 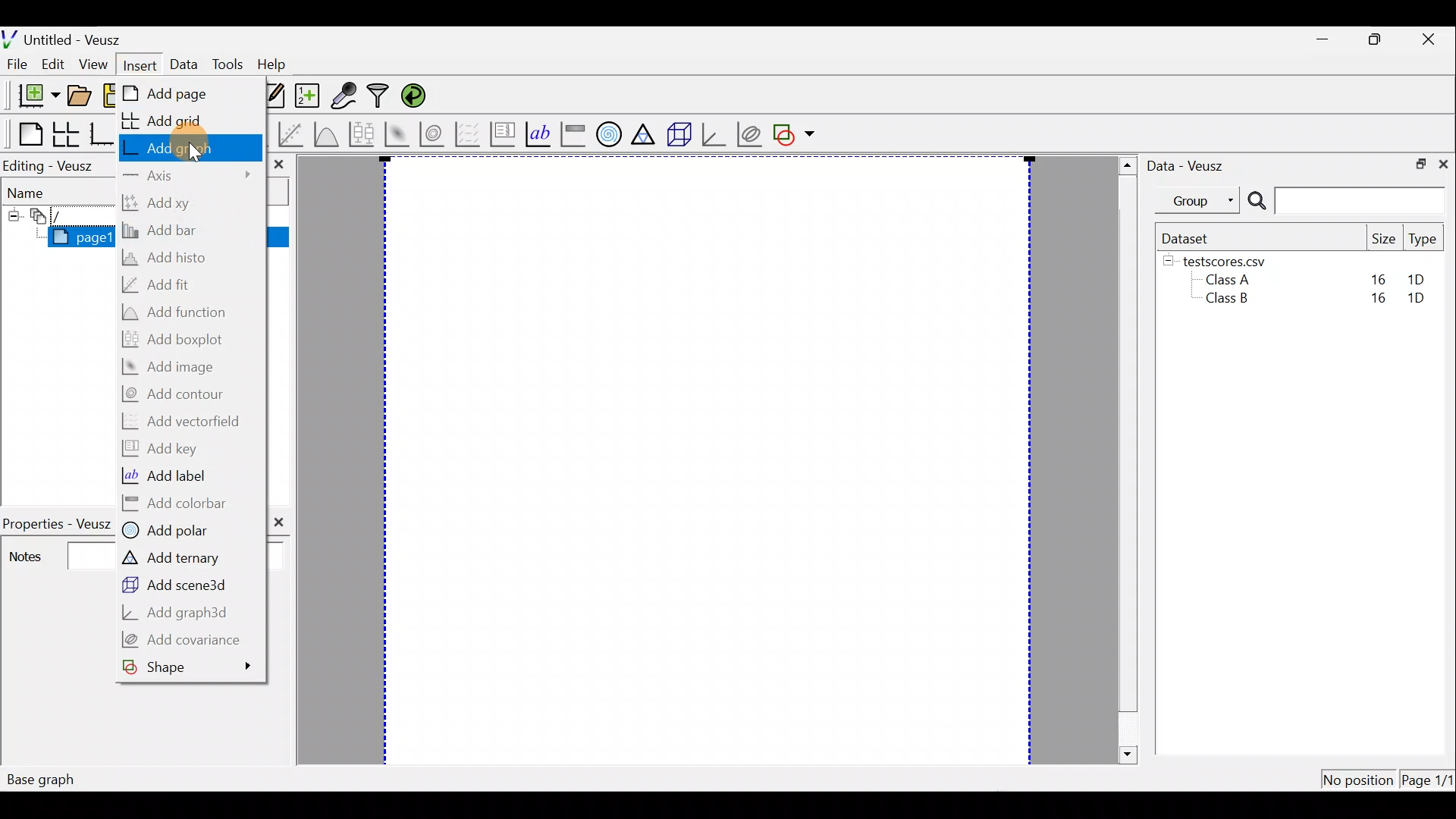 What do you see at coordinates (1125, 460) in the screenshot?
I see `scroll bar` at bounding box center [1125, 460].